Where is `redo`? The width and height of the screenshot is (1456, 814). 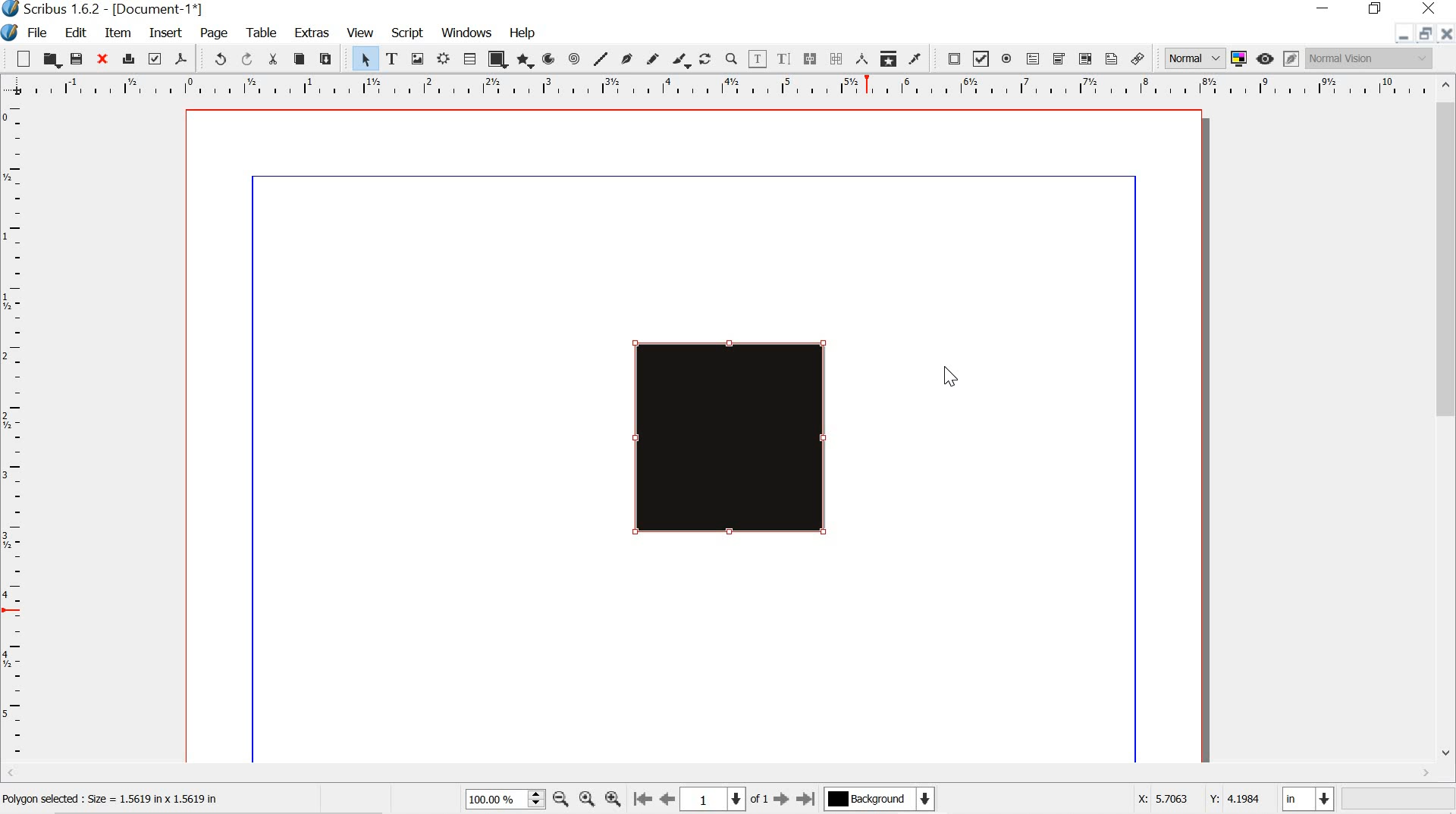
redo is located at coordinates (249, 59).